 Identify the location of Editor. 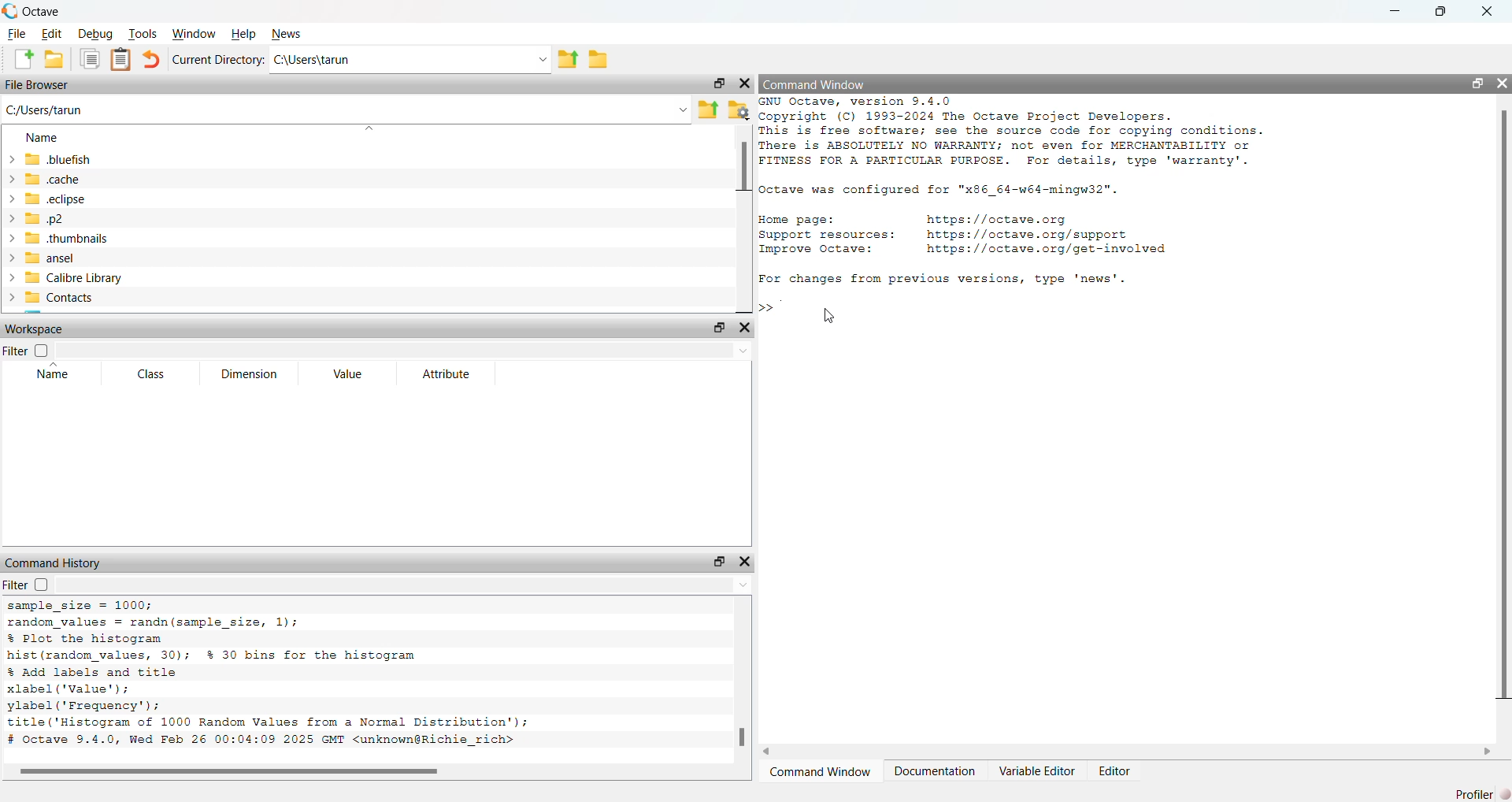
(1117, 770).